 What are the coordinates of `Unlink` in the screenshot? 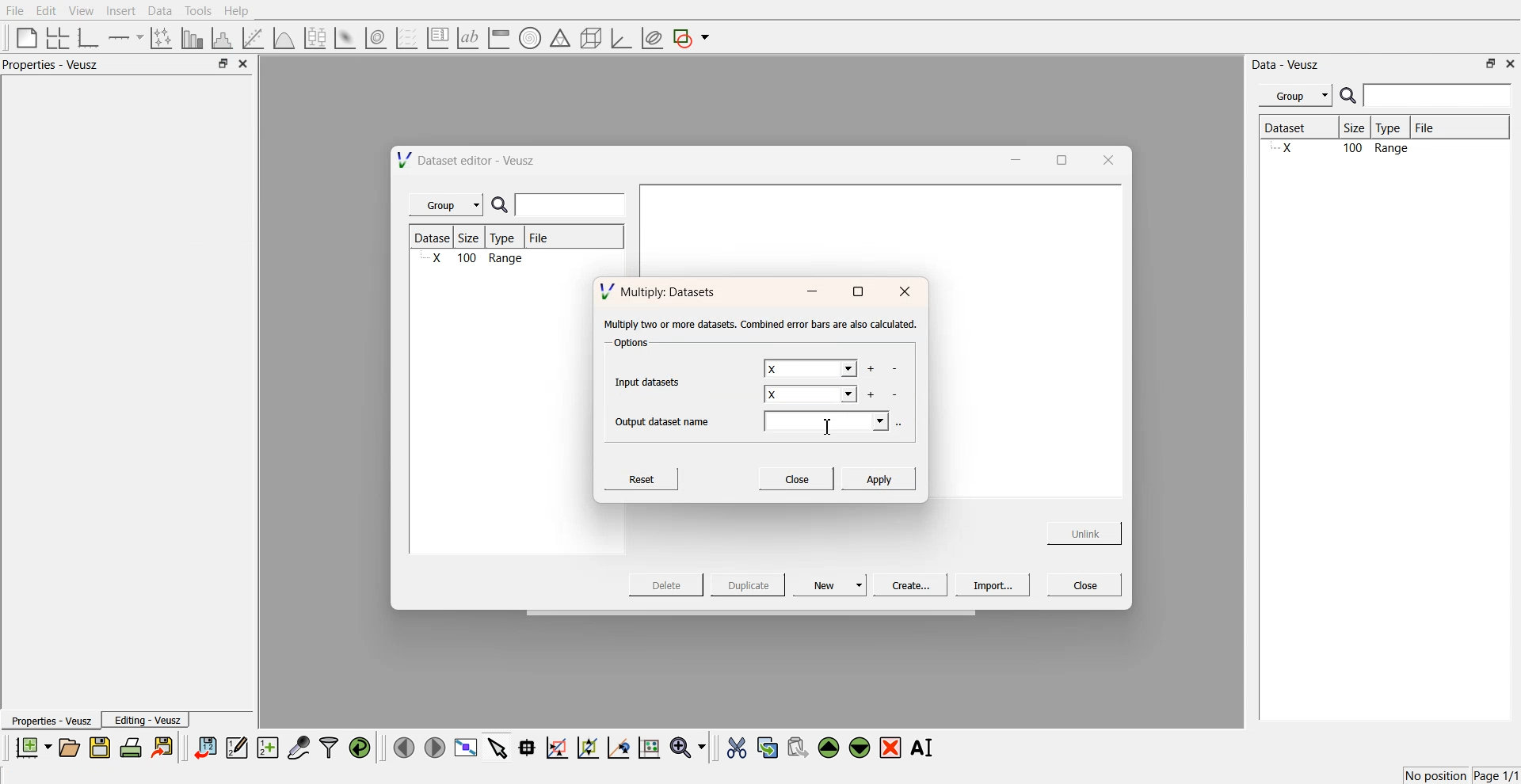 It's located at (1085, 531).